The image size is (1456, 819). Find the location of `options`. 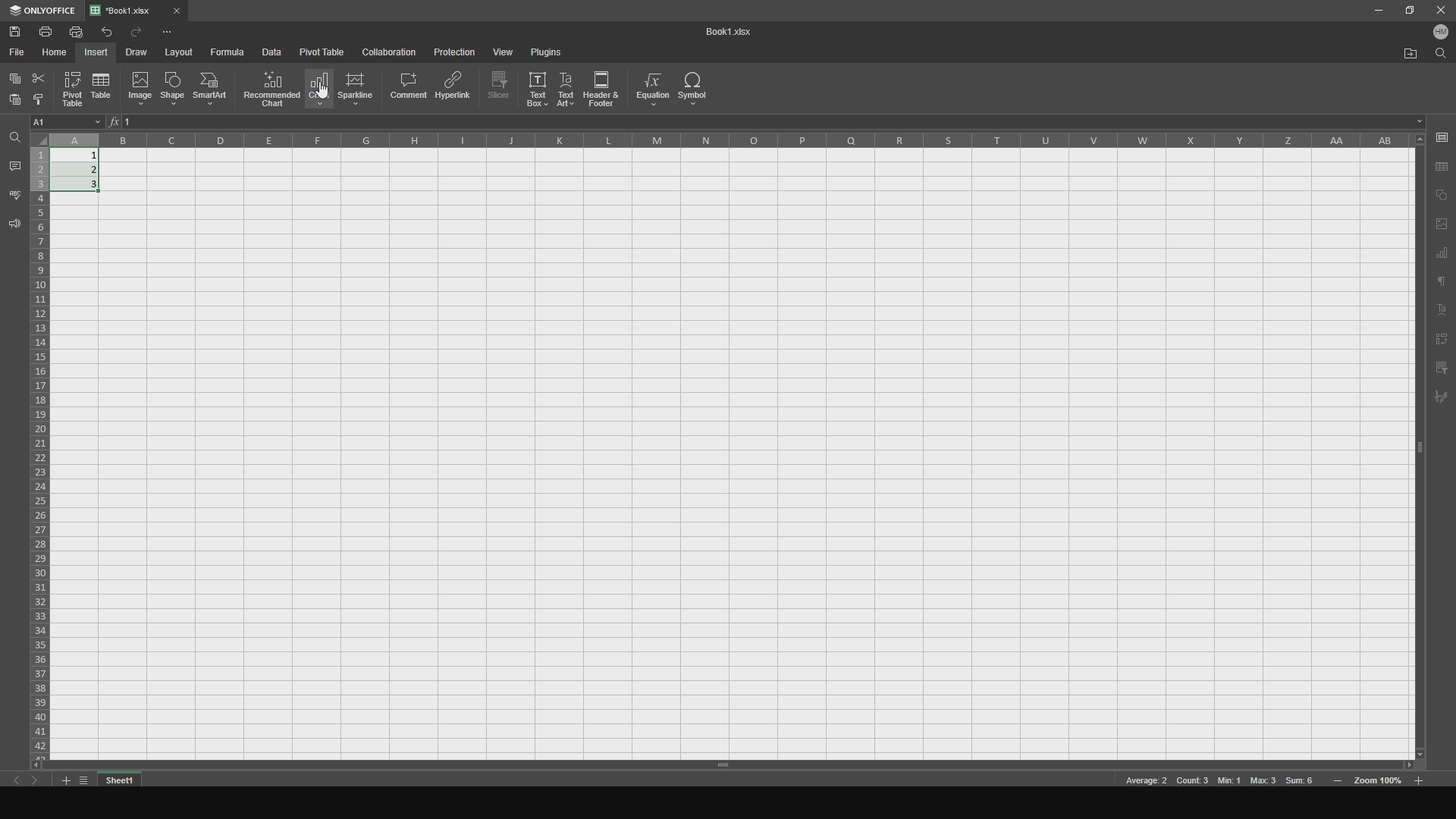

options is located at coordinates (167, 32).